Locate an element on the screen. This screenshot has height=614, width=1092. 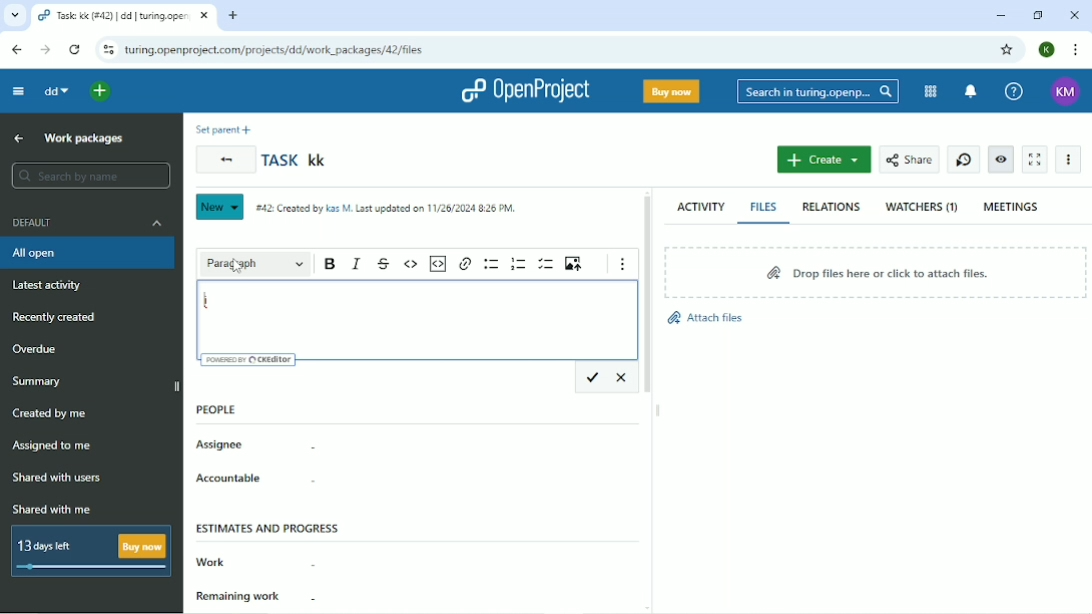
Bulleted list is located at coordinates (491, 263).